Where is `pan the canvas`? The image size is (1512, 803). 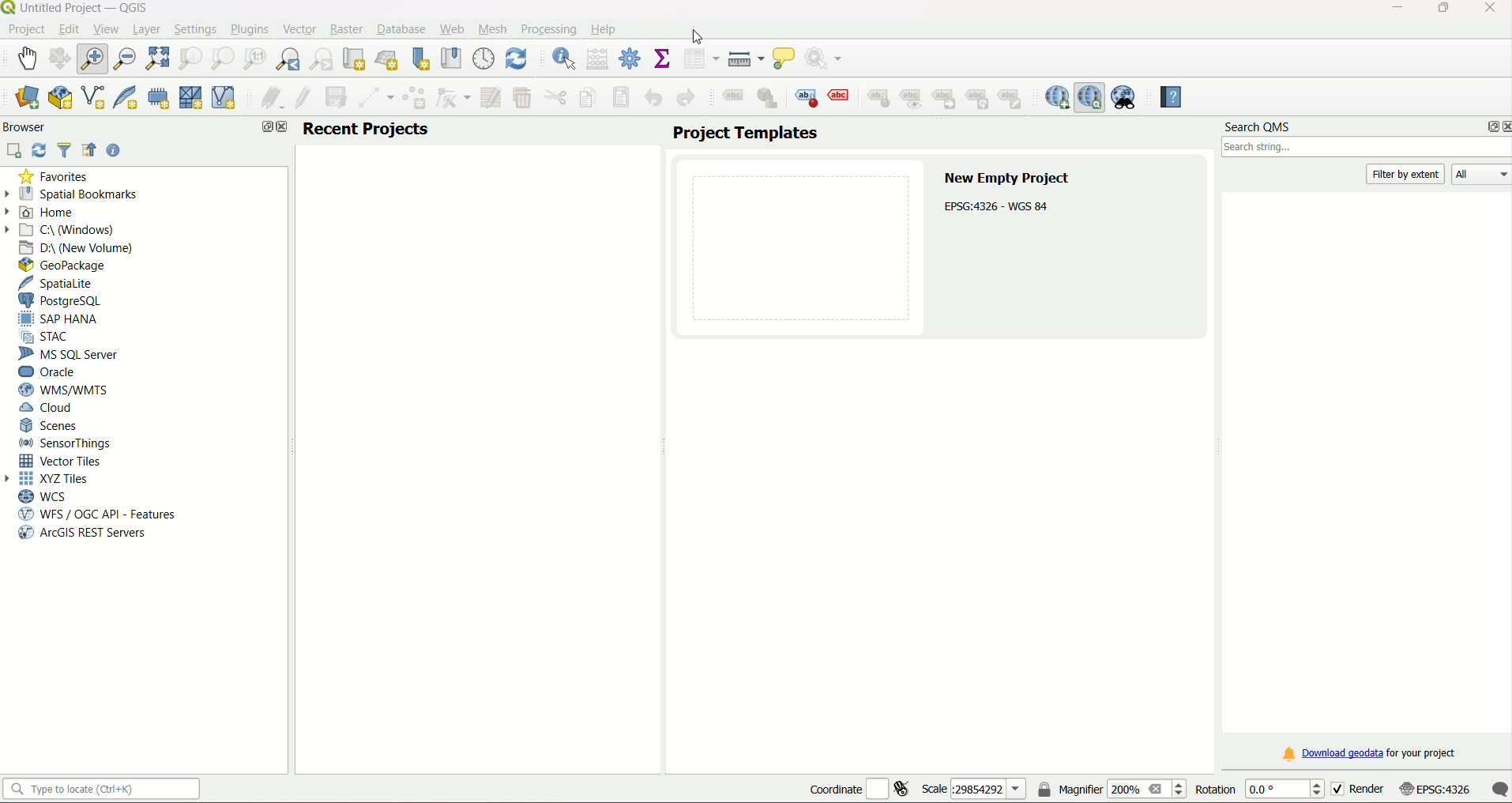
pan the canvas is located at coordinates (62, 58).